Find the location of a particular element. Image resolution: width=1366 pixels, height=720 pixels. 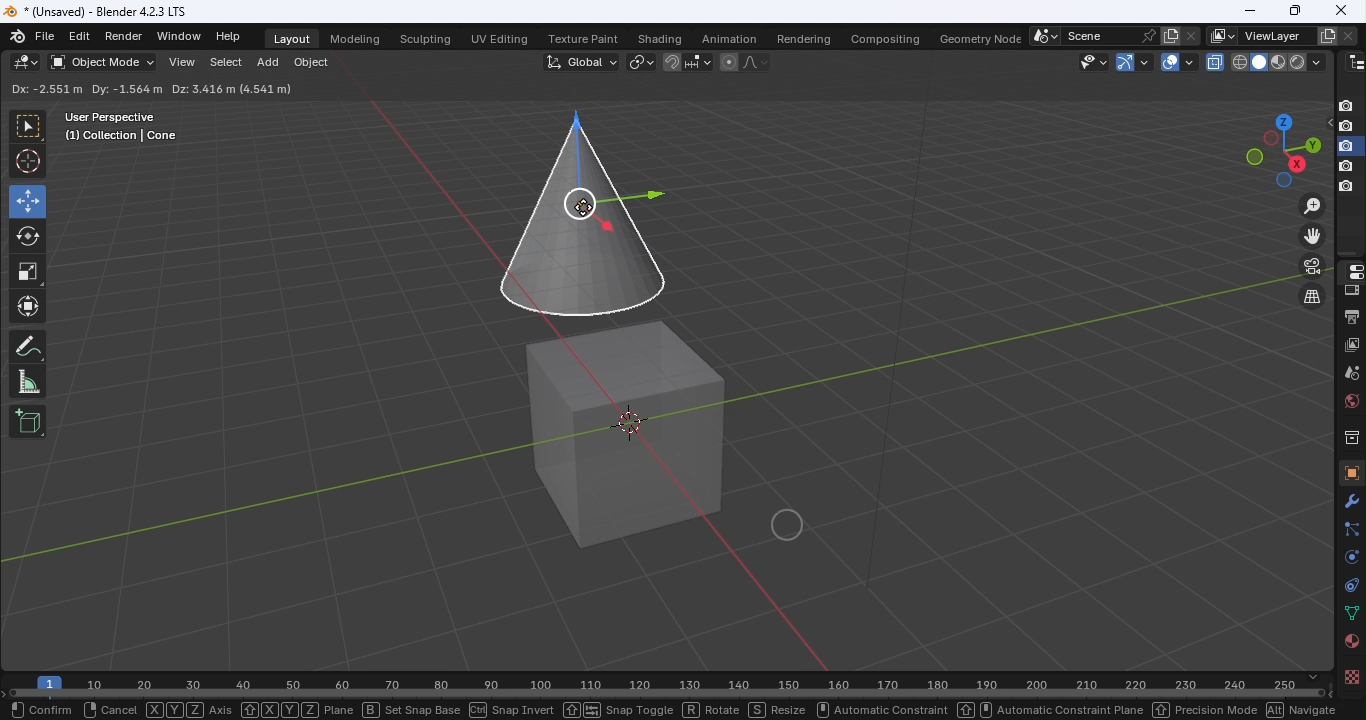

Texture paint is located at coordinates (585, 40).